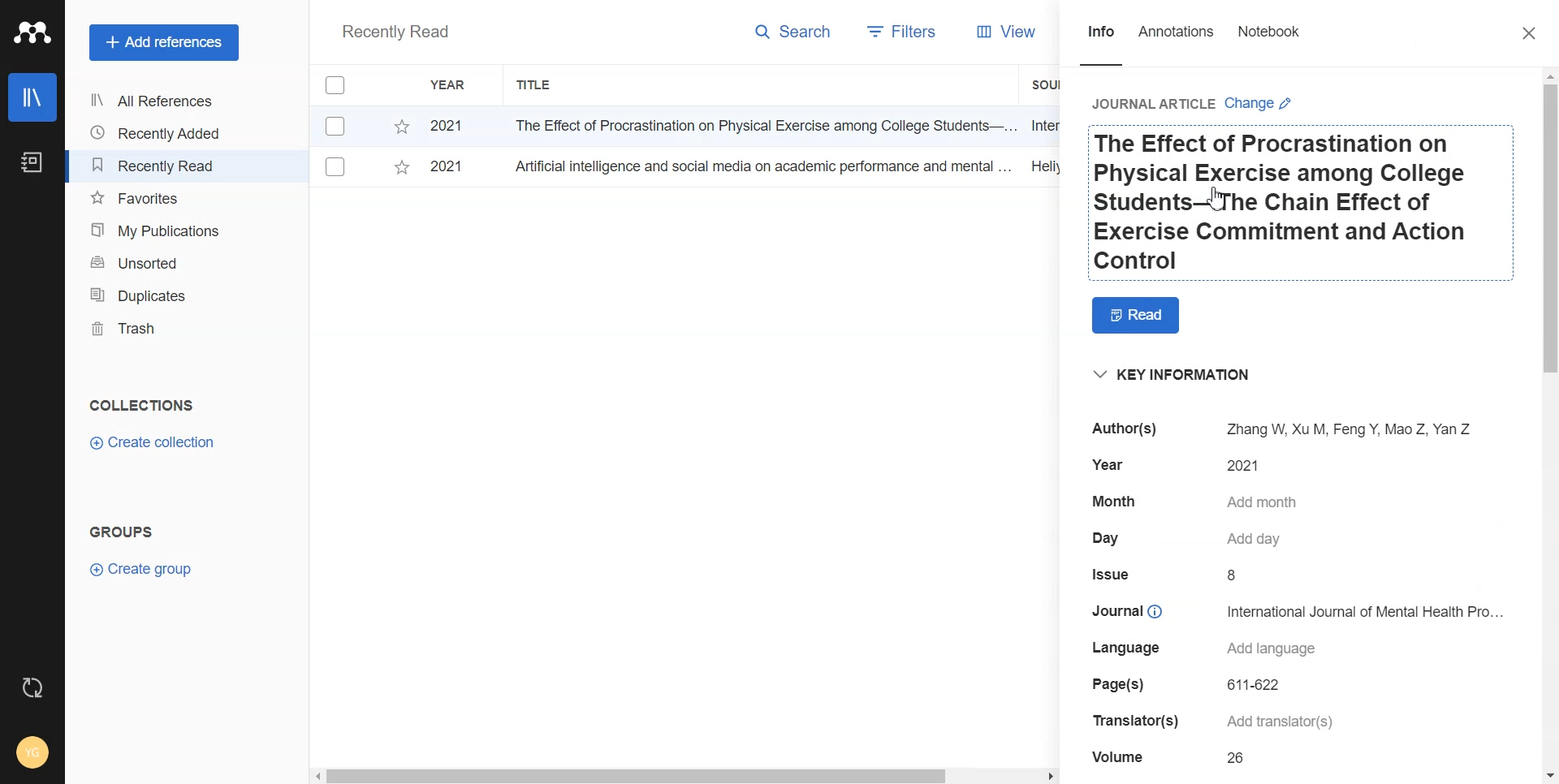  Describe the element at coordinates (158, 166) in the screenshot. I see `Recently Read` at that location.